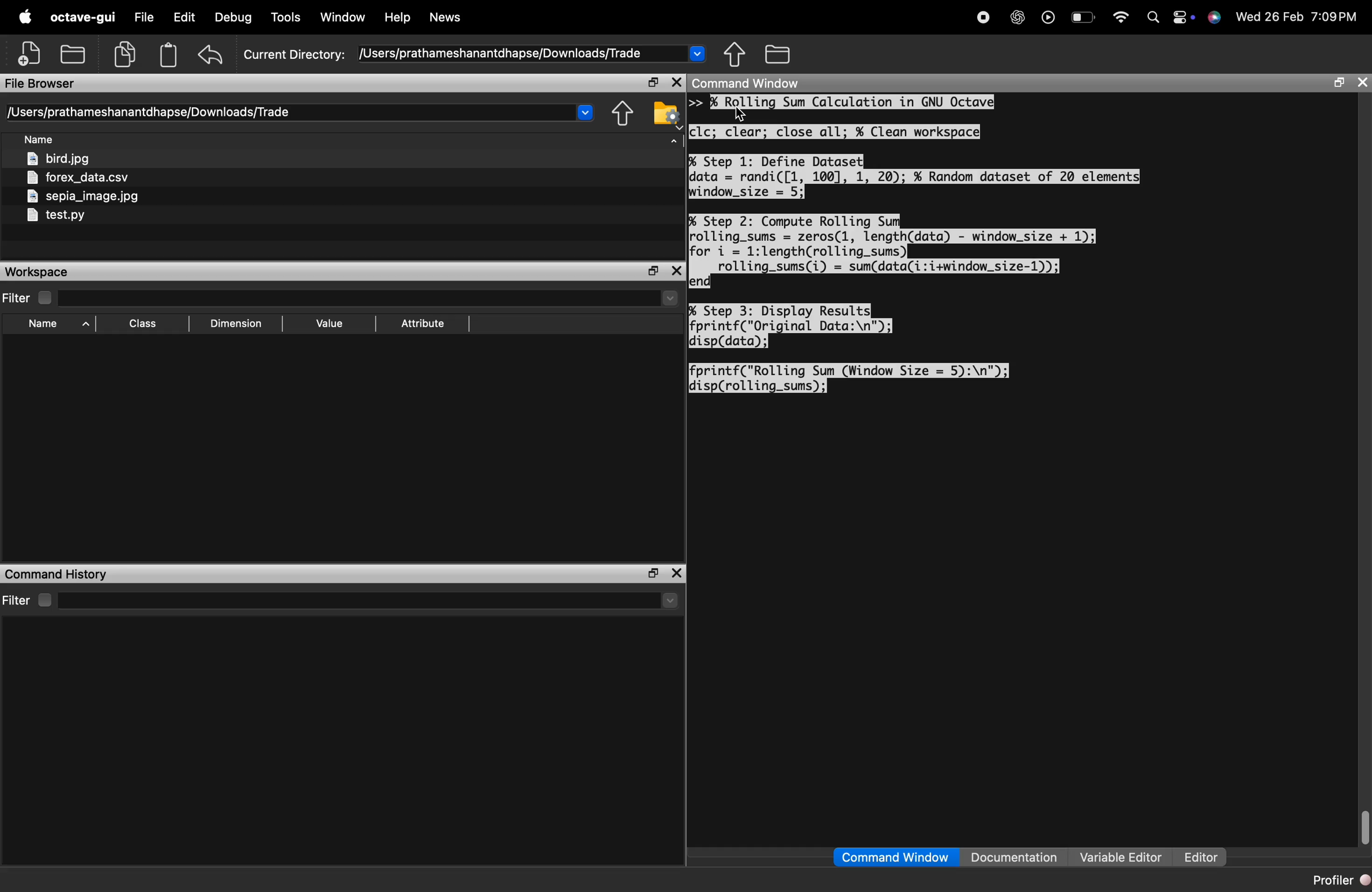 This screenshot has height=892, width=1372. I want to click on octave-gui, so click(85, 18).